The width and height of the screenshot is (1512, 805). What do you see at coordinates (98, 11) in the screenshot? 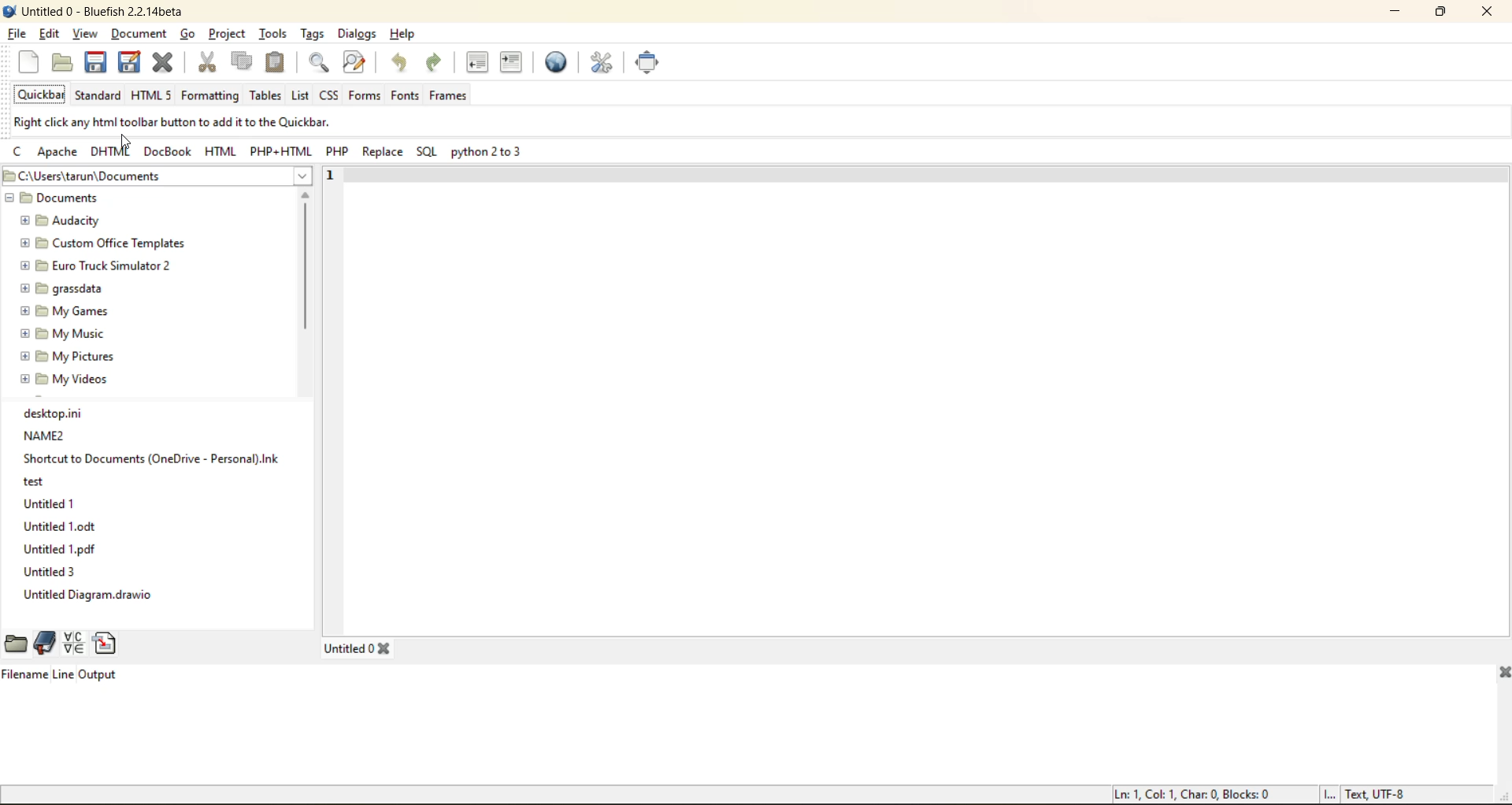
I see `file name and app name` at bounding box center [98, 11].